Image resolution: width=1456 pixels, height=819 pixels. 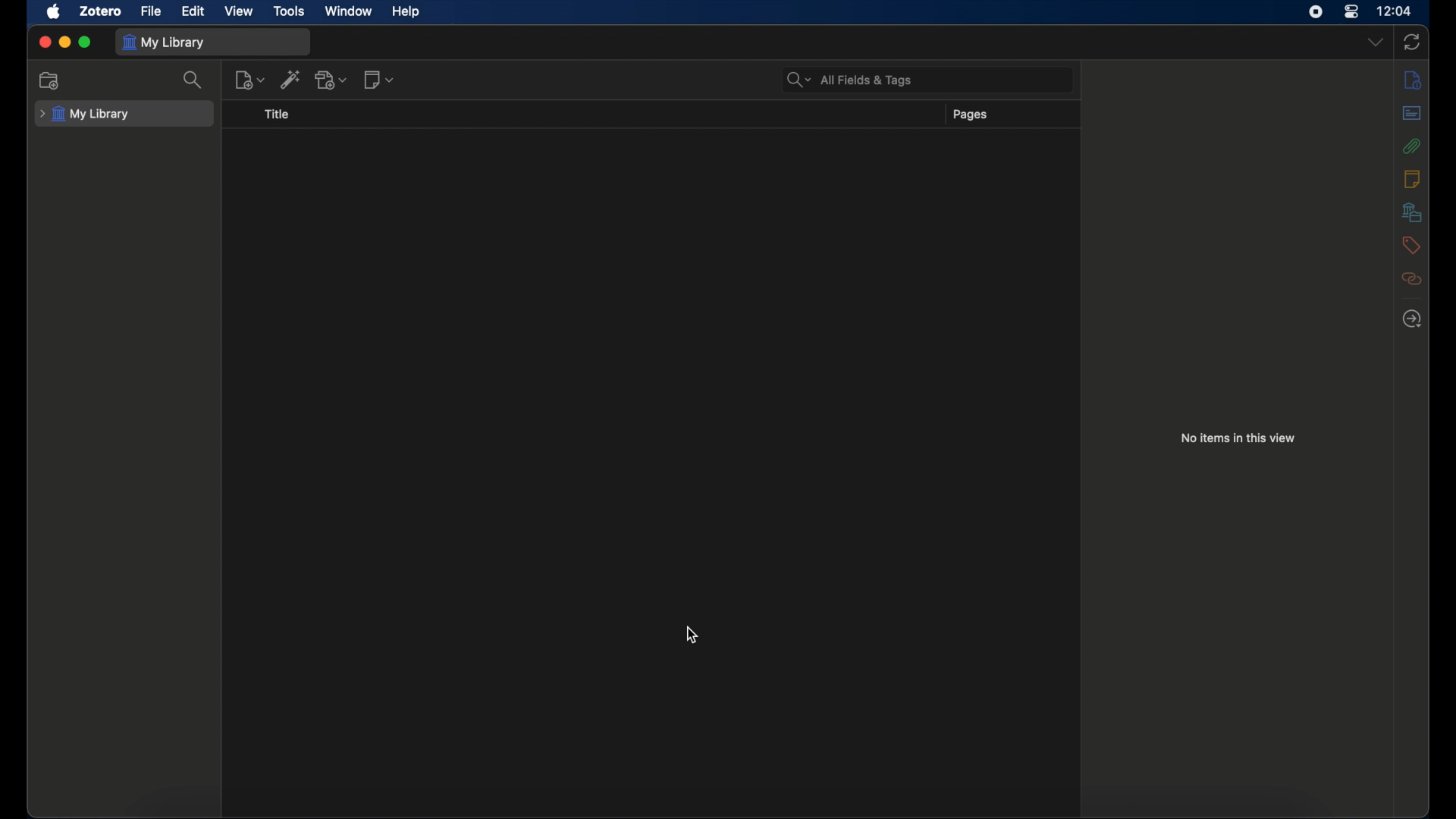 I want to click on search bar, so click(x=849, y=79).